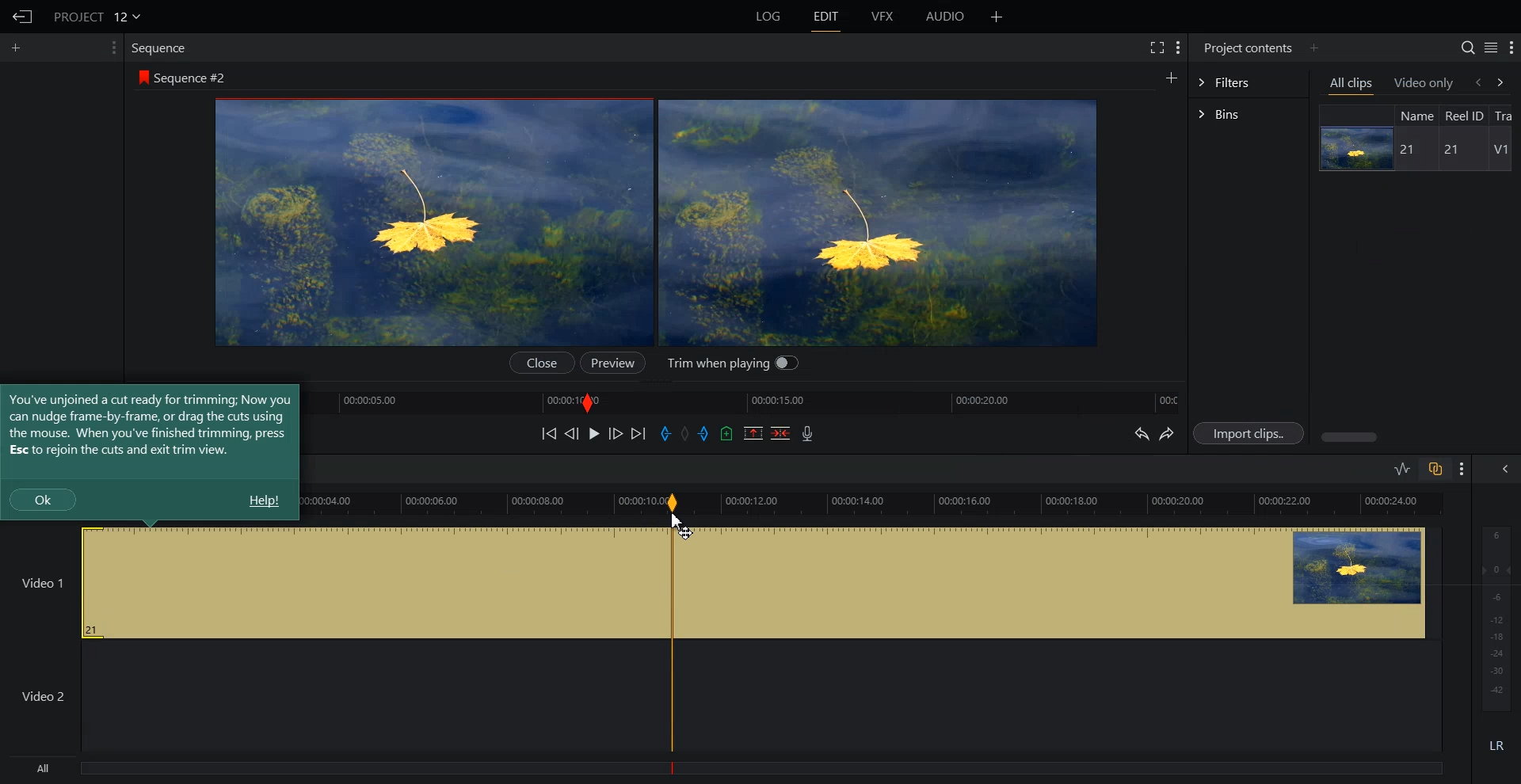  Describe the element at coordinates (594, 433) in the screenshot. I see `Play` at that location.